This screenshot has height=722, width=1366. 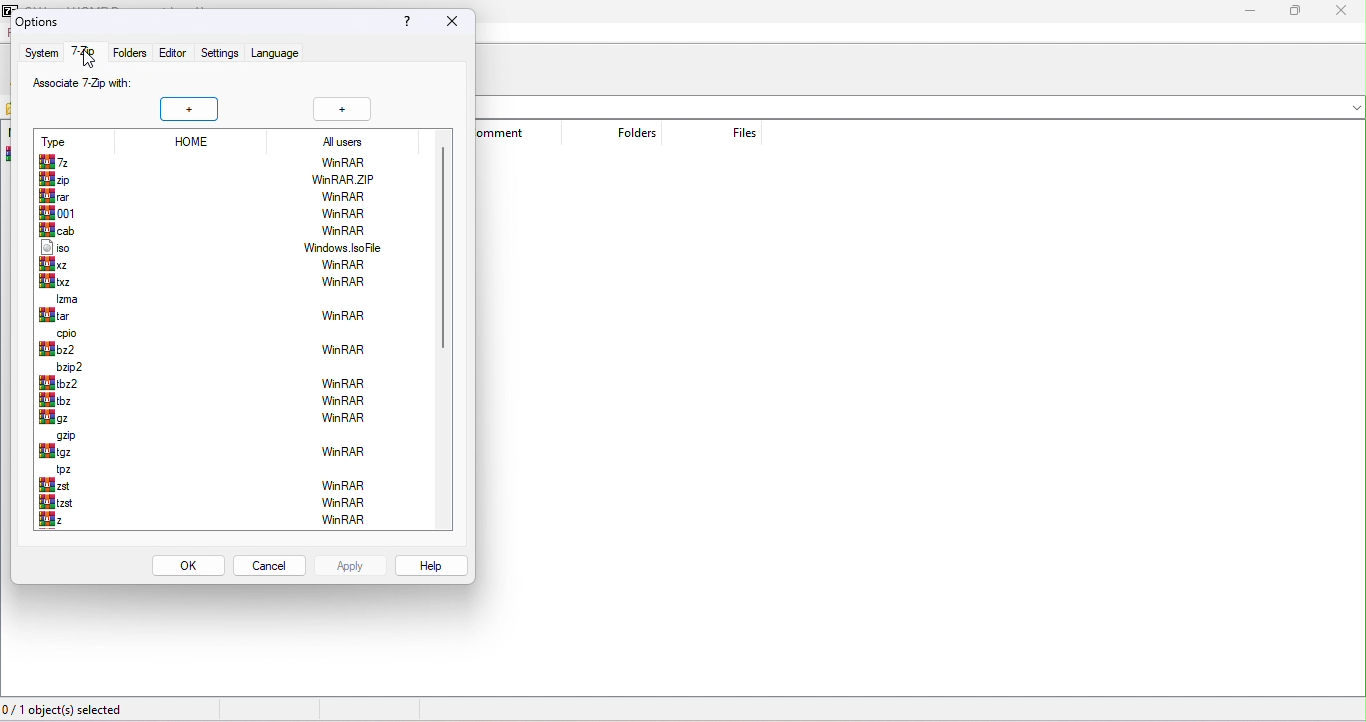 What do you see at coordinates (624, 133) in the screenshot?
I see `folders` at bounding box center [624, 133].